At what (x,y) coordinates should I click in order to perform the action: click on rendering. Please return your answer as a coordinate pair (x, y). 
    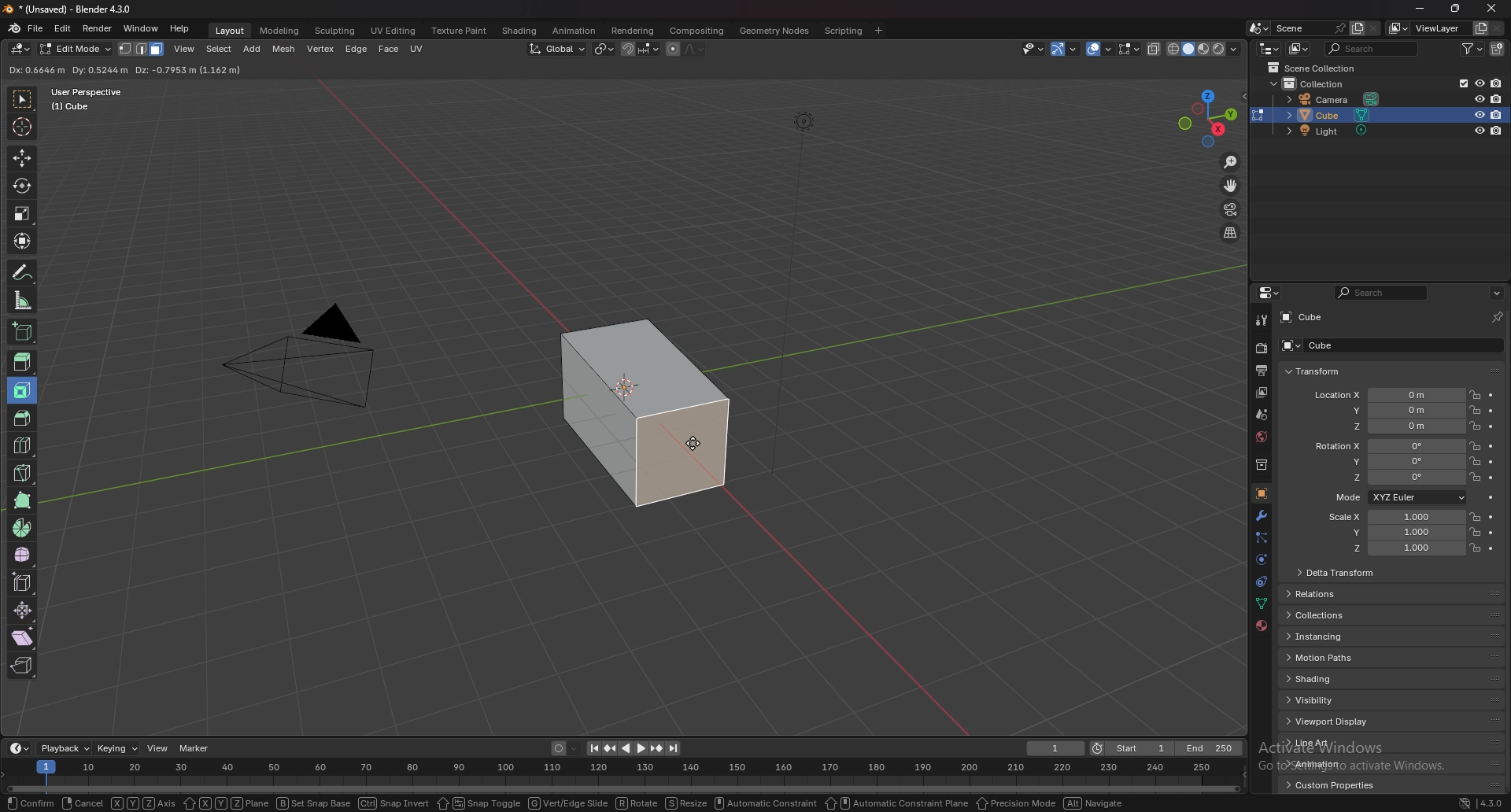
    Looking at the image, I should click on (634, 31).